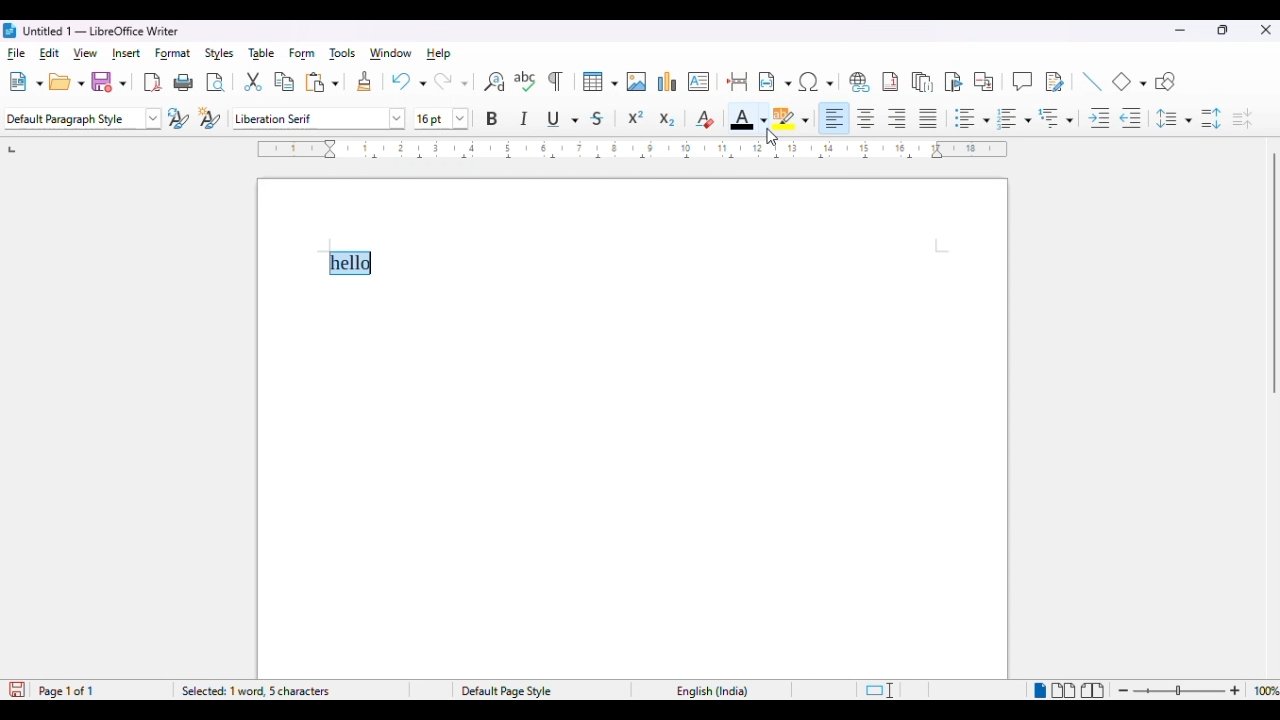 The image size is (1280, 720). I want to click on cursor, so click(772, 139).